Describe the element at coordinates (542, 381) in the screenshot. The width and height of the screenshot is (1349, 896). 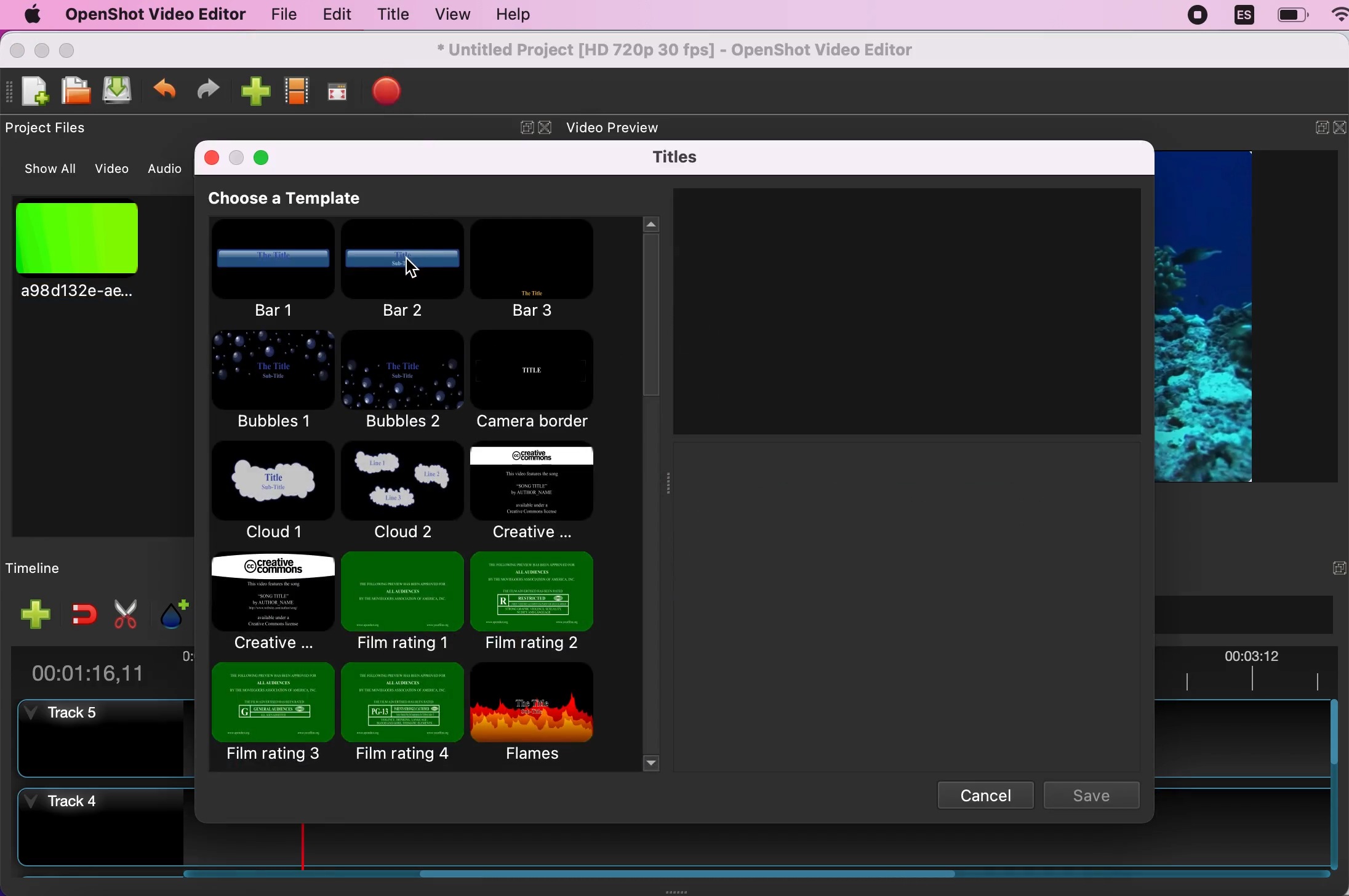
I see `camera border` at that location.